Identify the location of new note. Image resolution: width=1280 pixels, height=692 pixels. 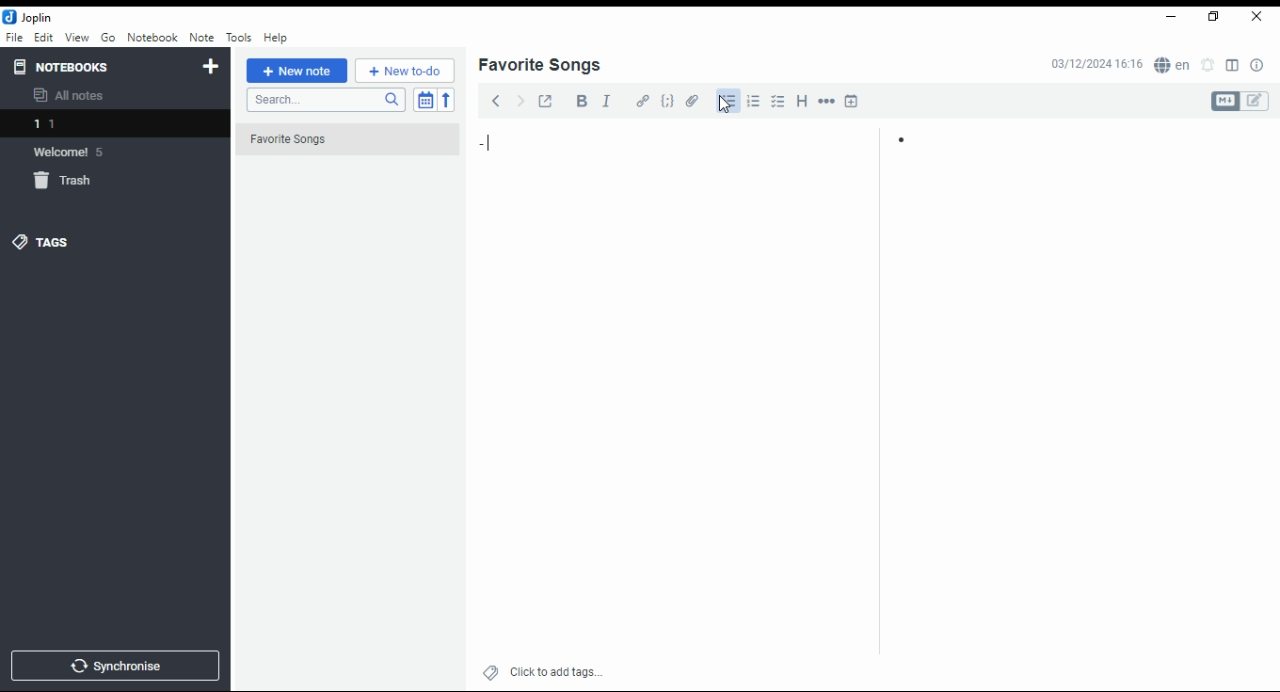
(297, 71).